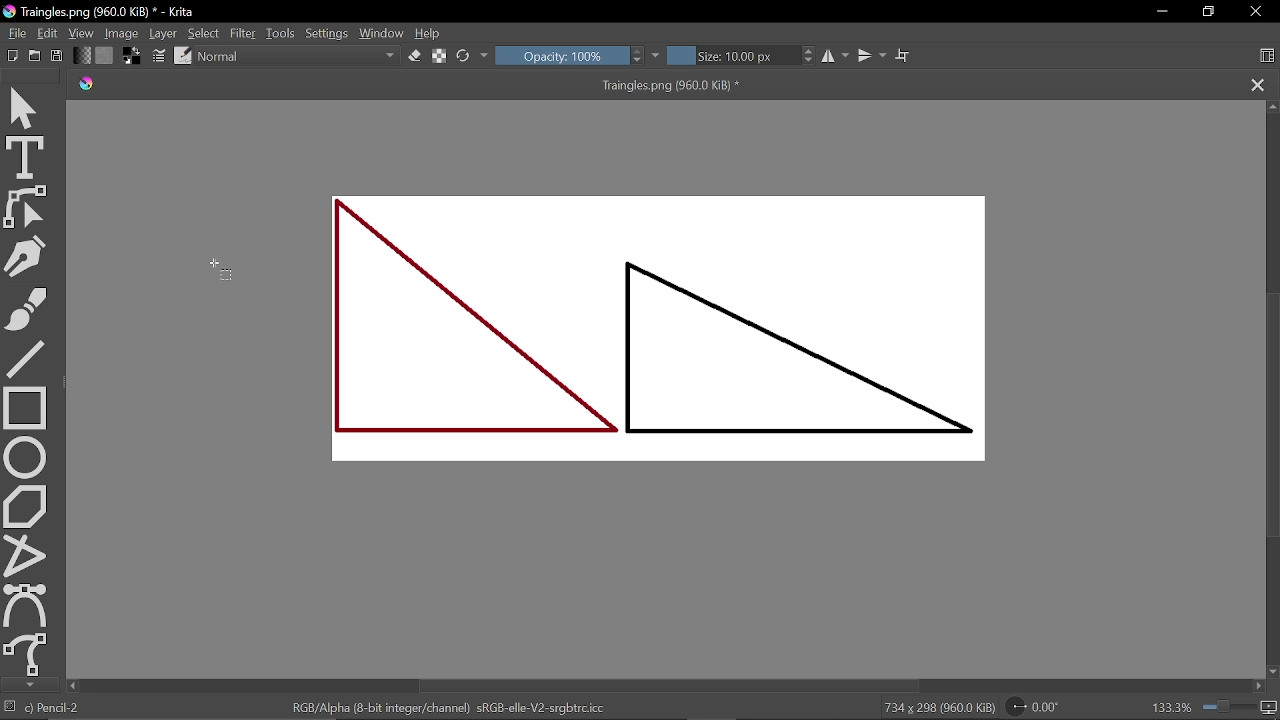  What do you see at coordinates (24, 207) in the screenshot?
I see `Edit shapes tool` at bounding box center [24, 207].